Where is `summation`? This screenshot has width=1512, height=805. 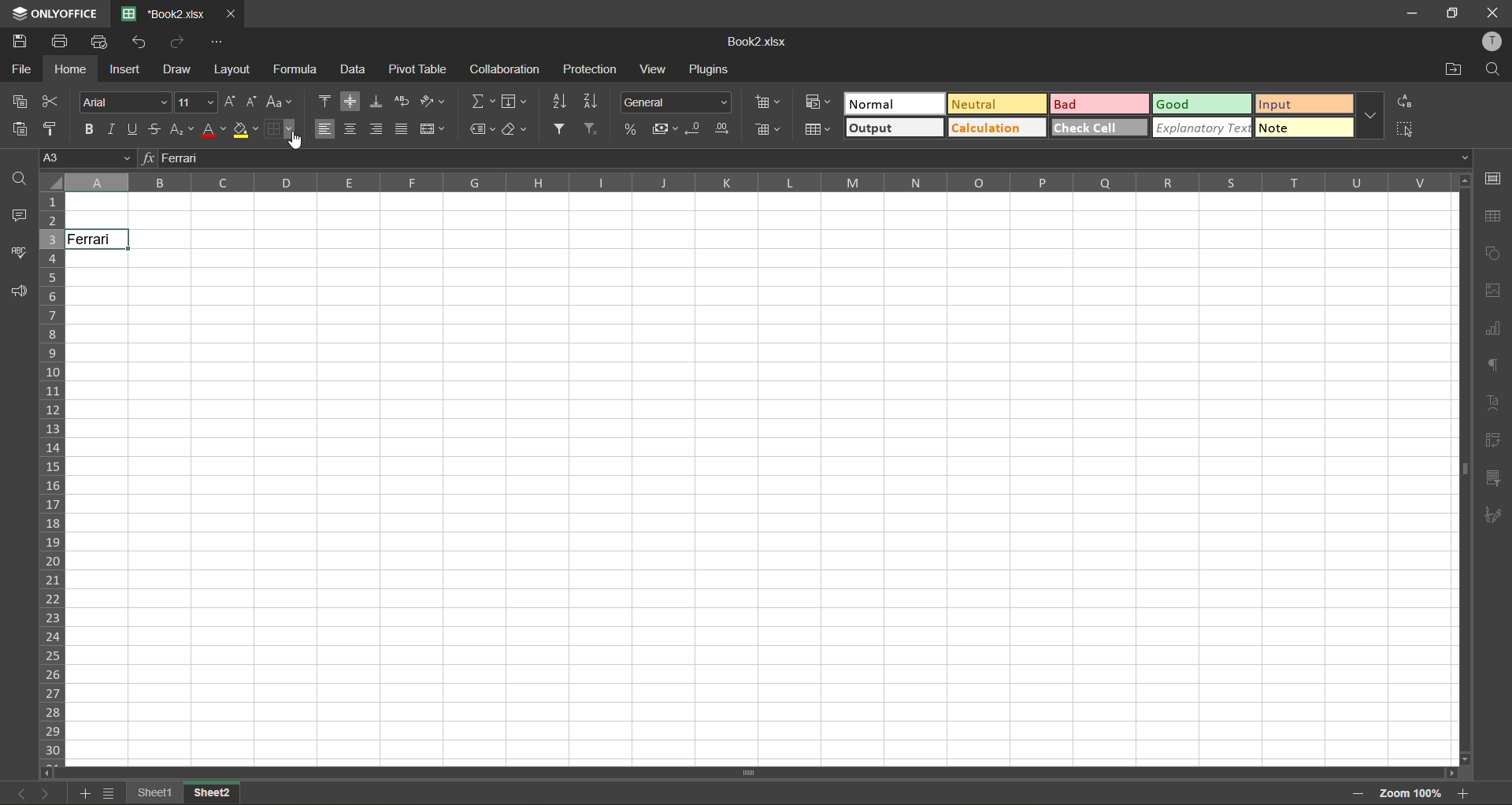
summation is located at coordinates (480, 102).